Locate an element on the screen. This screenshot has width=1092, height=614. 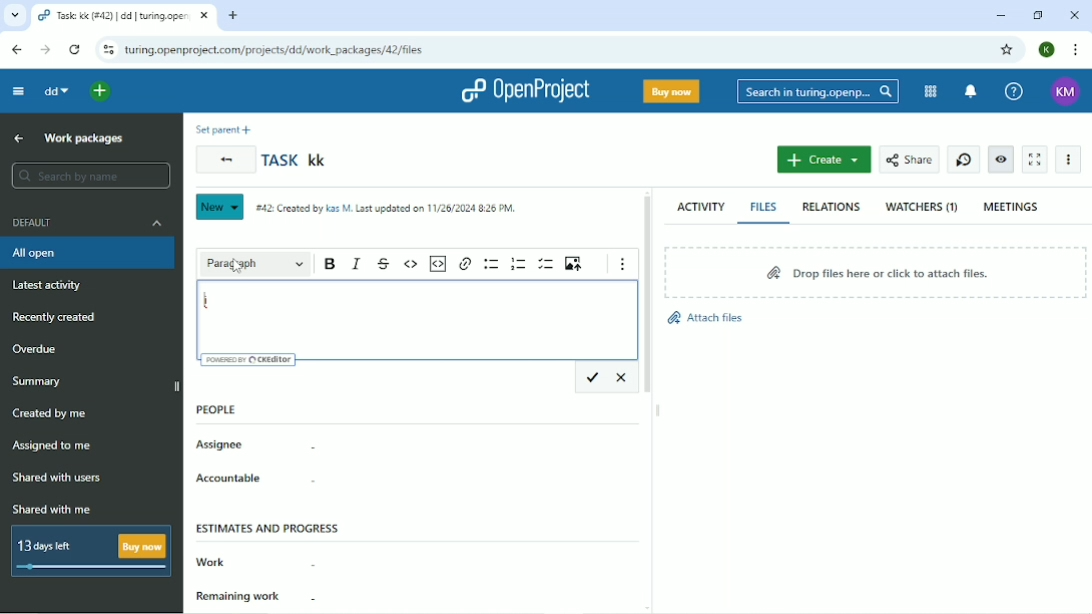
KM is located at coordinates (1063, 91).